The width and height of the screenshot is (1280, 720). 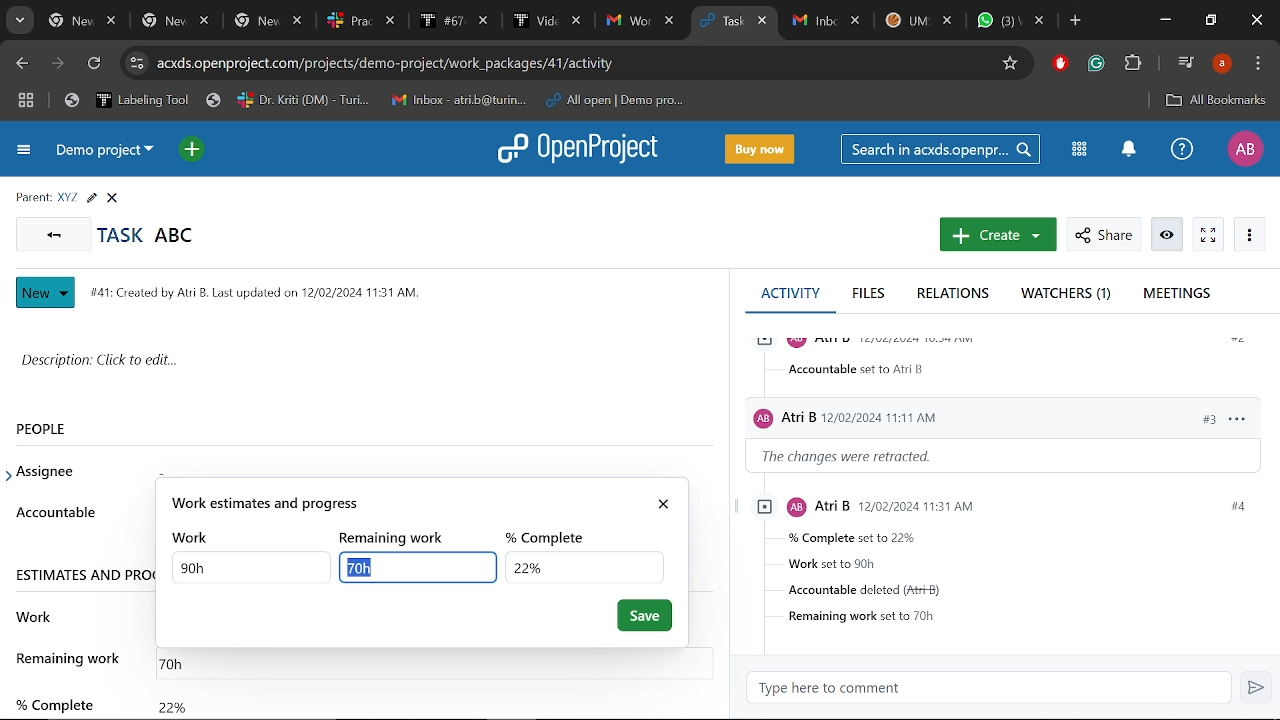 What do you see at coordinates (583, 566) in the screenshot?
I see `COmpleted work` at bounding box center [583, 566].